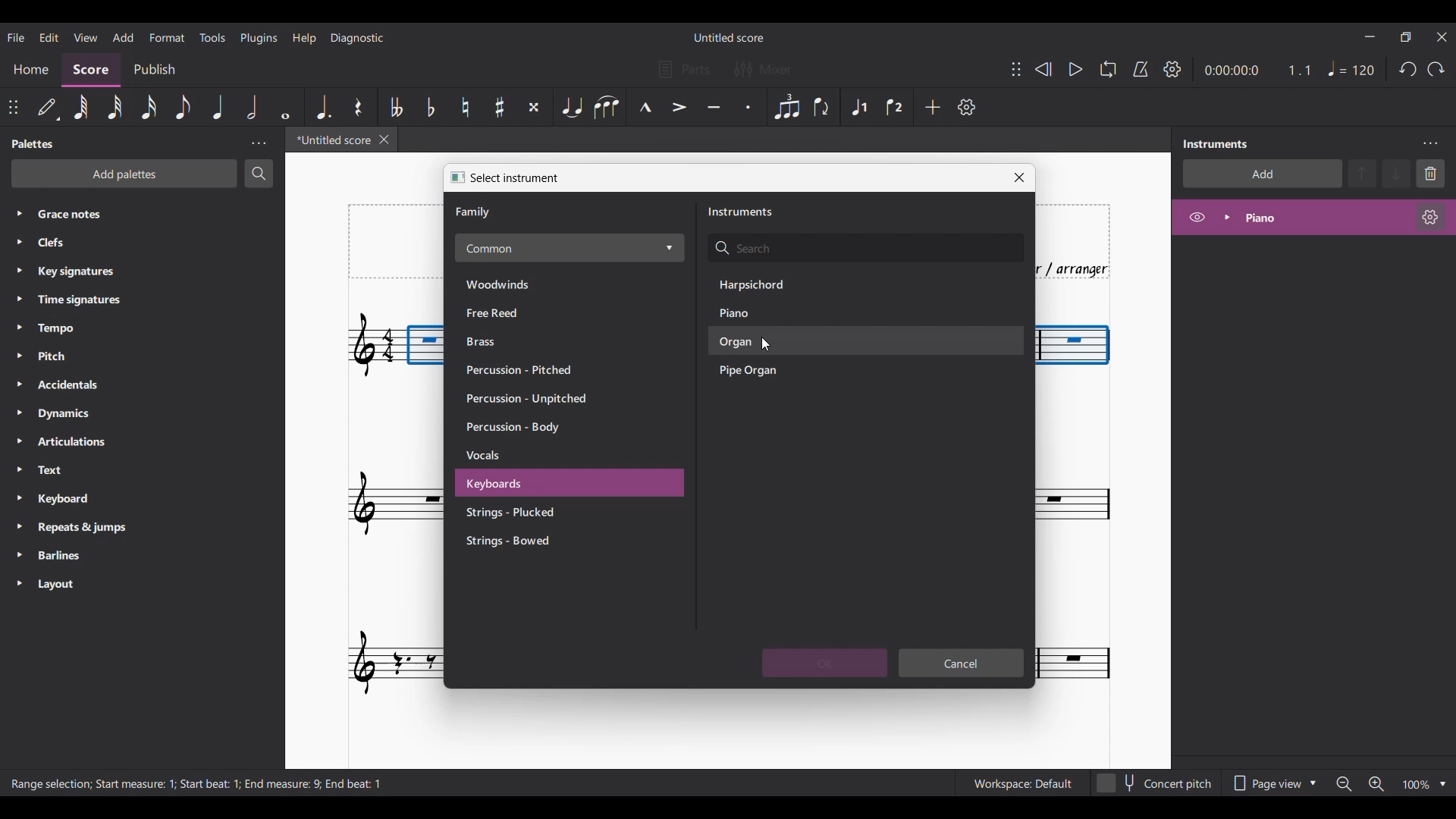  Describe the element at coordinates (534, 107) in the screenshot. I see `Toggle double sharp` at that location.